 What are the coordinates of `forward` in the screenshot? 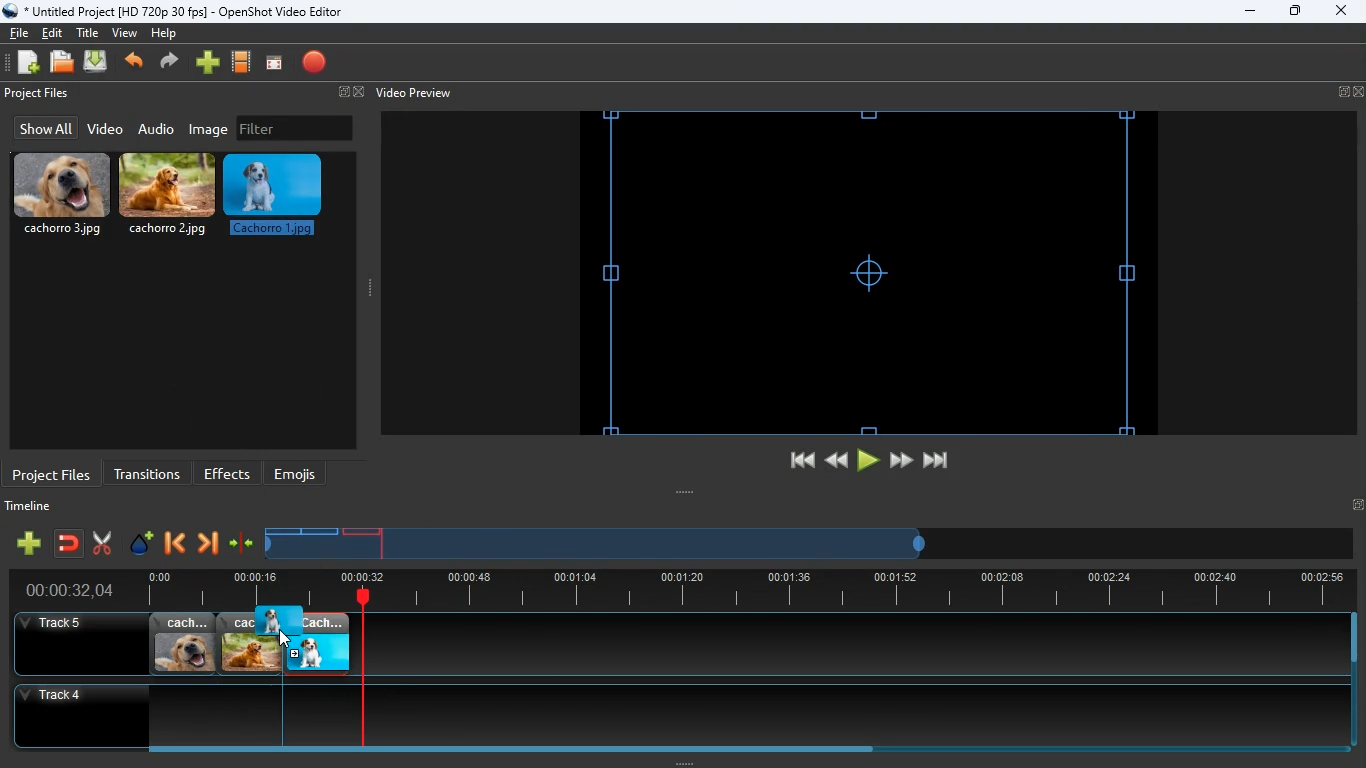 It's located at (901, 461).